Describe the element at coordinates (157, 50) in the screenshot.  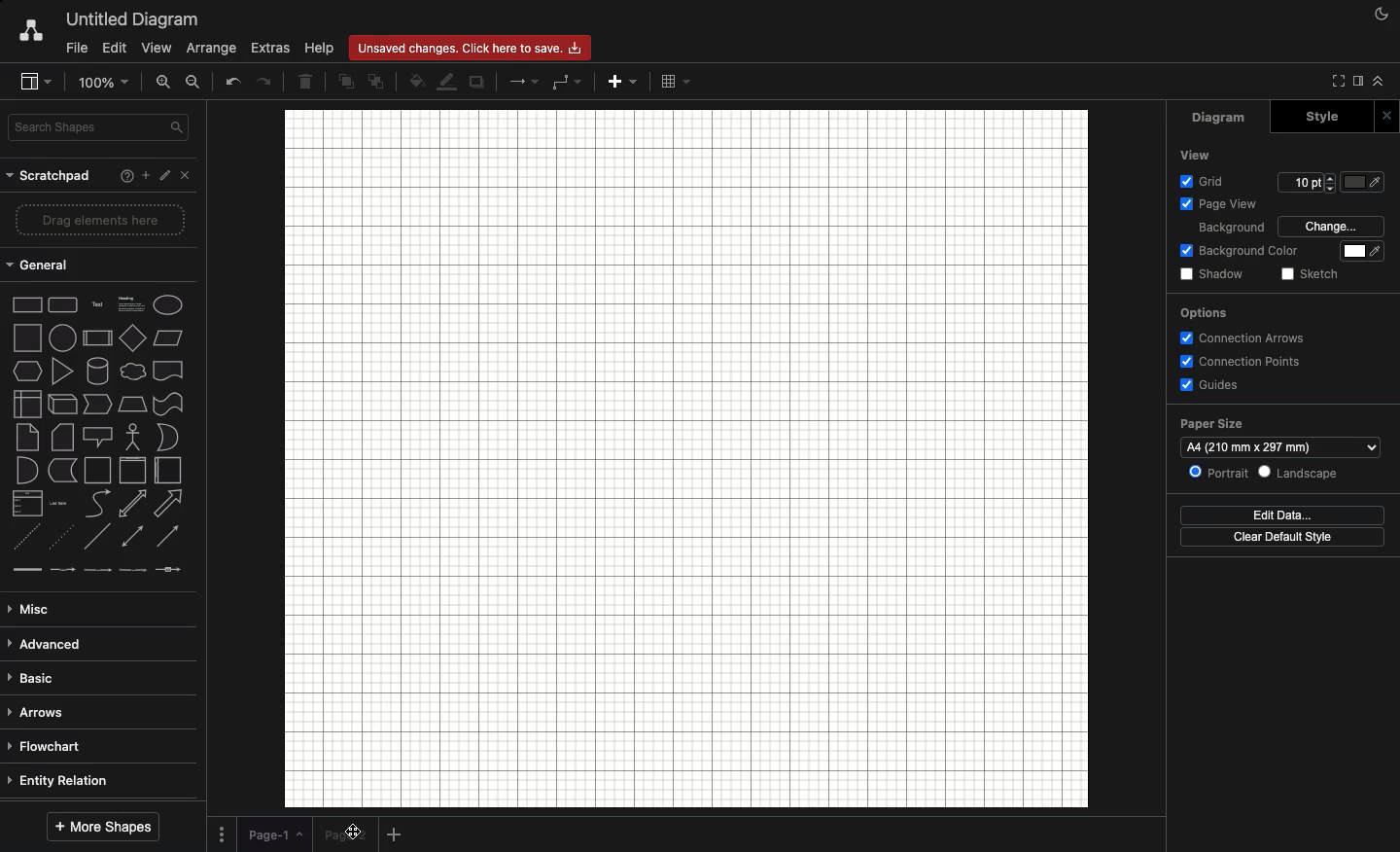
I see `View` at that location.